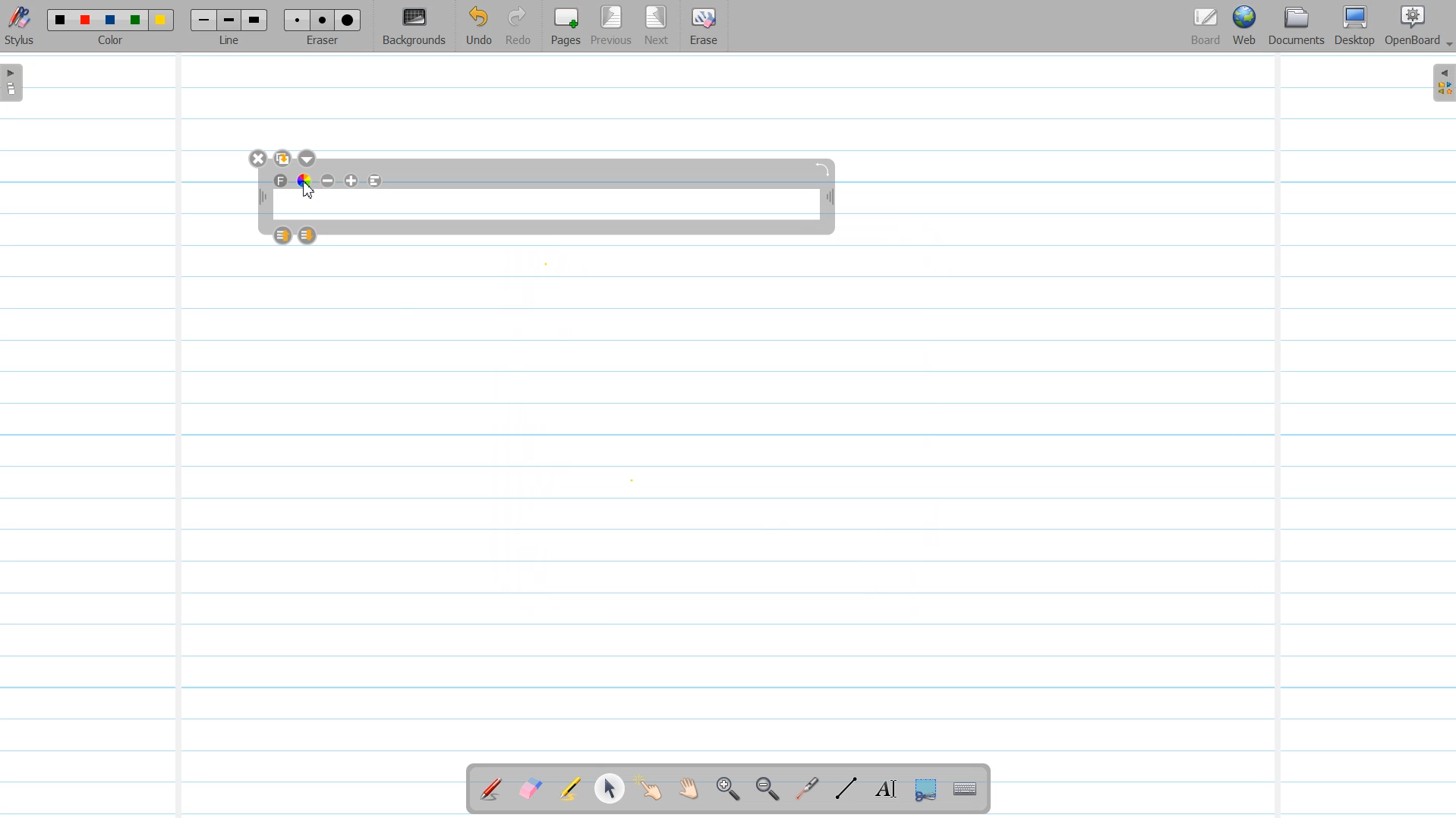 This screenshot has height=818, width=1456. Describe the element at coordinates (657, 27) in the screenshot. I see `Next` at that location.